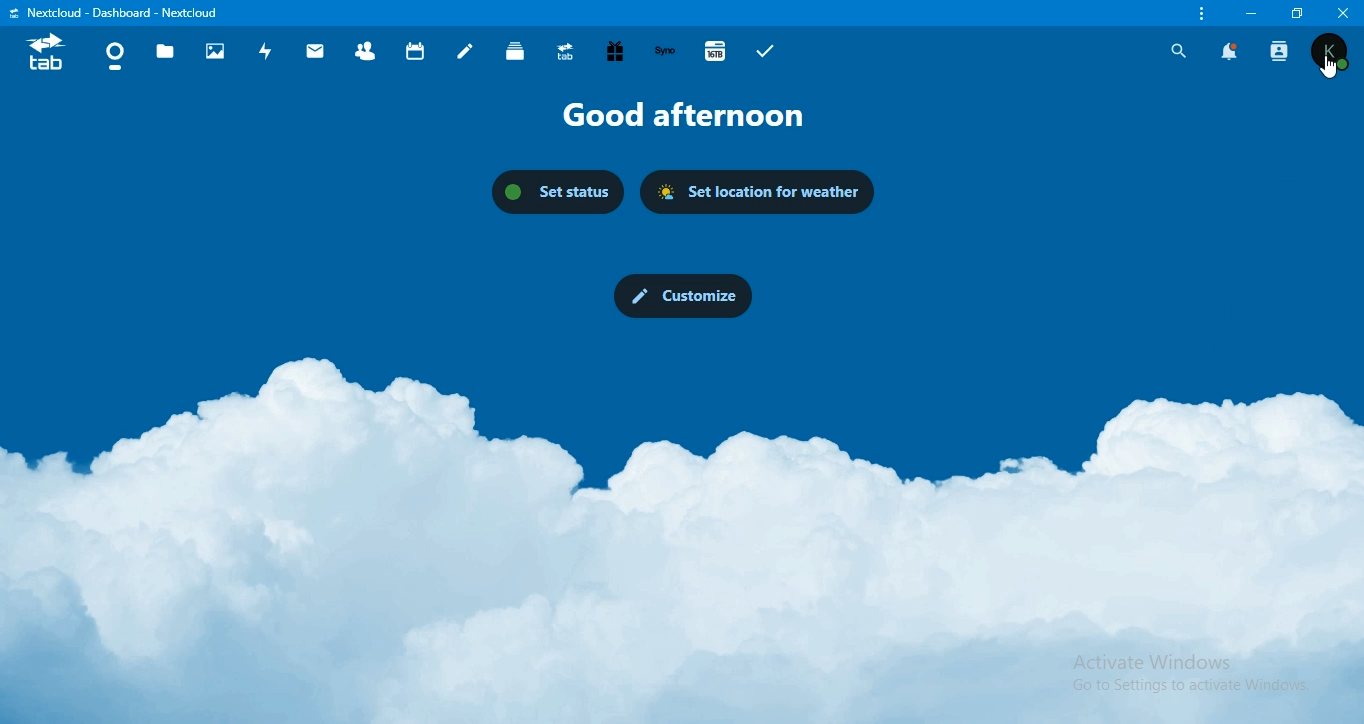 This screenshot has height=724, width=1364. What do you see at coordinates (1281, 51) in the screenshot?
I see `search contact` at bounding box center [1281, 51].